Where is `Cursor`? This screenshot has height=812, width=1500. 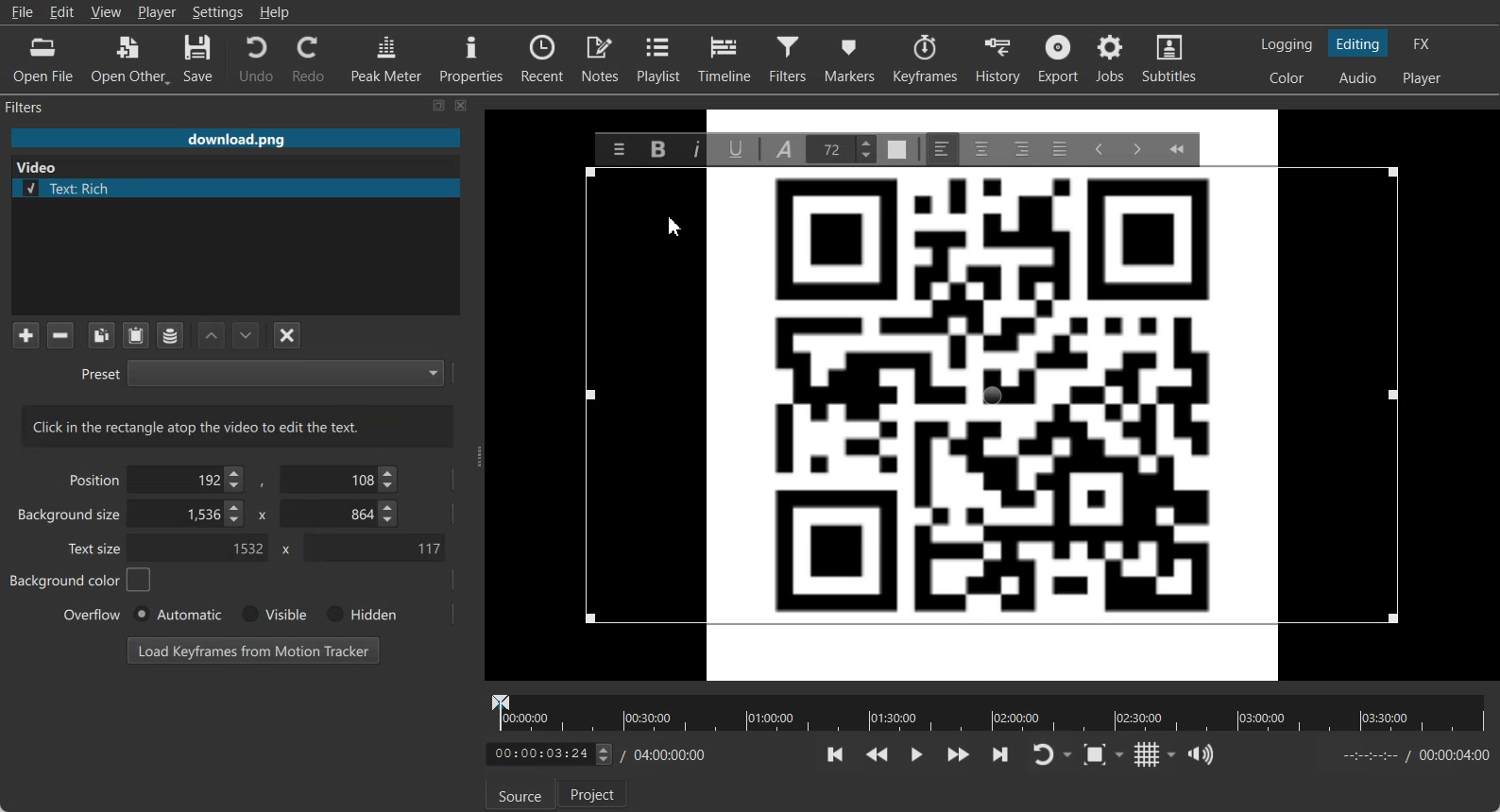
Cursor is located at coordinates (676, 228).